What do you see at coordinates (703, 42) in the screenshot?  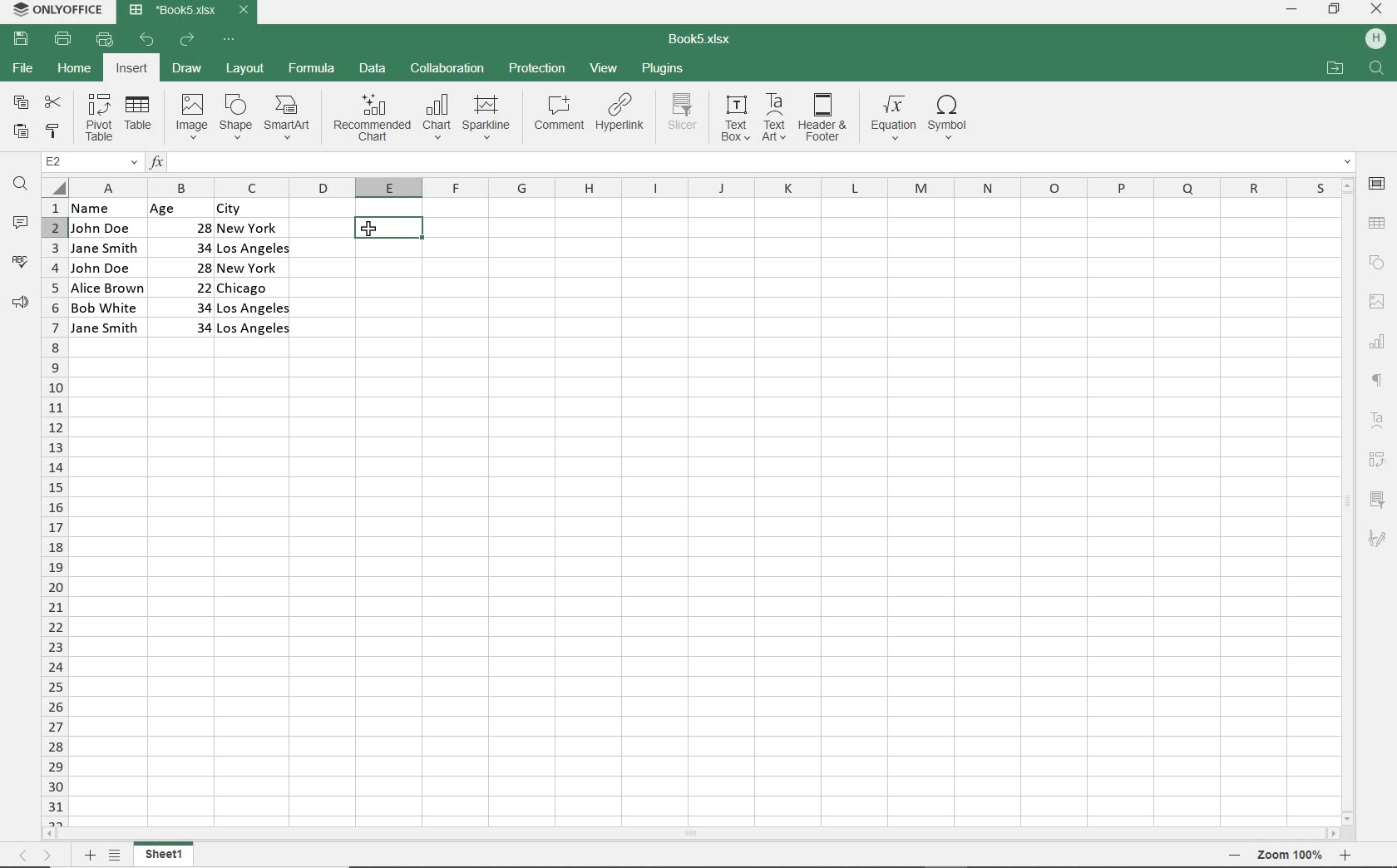 I see `DOCUMENT NAME` at bounding box center [703, 42].